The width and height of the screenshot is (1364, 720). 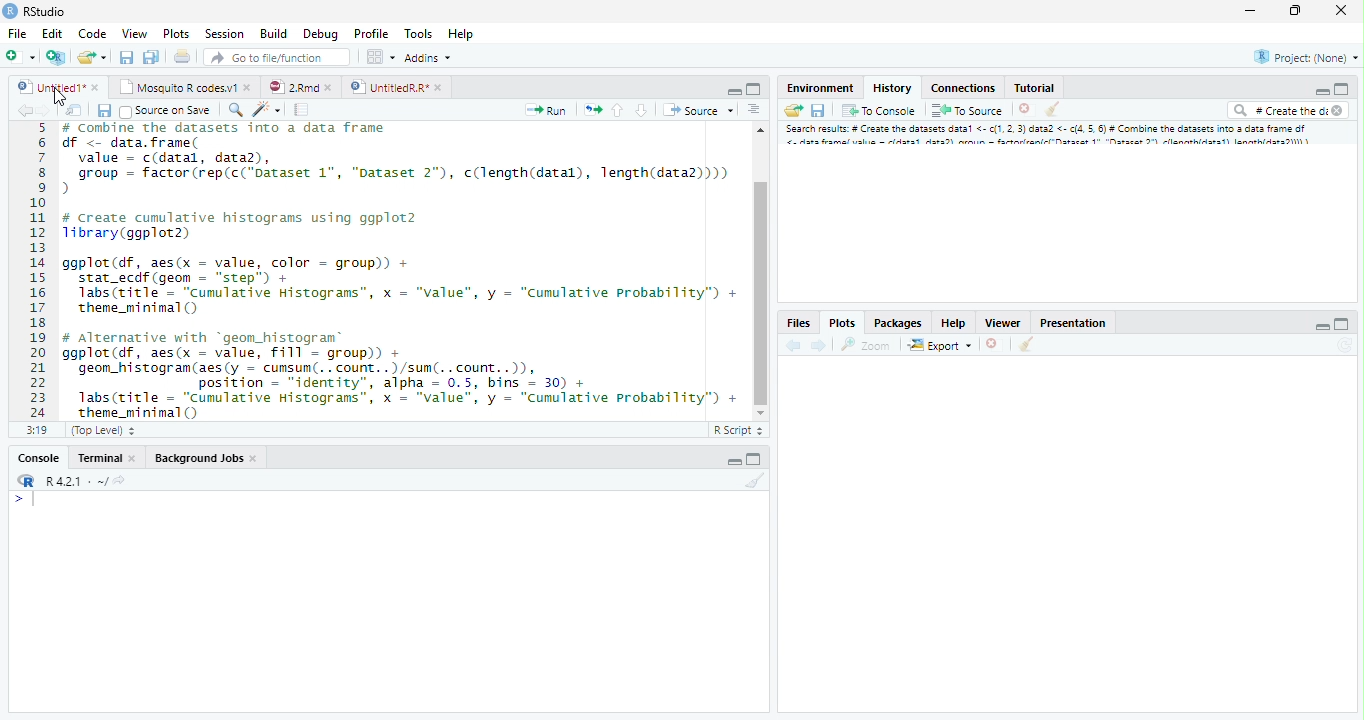 I want to click on Pages, so click(x=300, y=111).